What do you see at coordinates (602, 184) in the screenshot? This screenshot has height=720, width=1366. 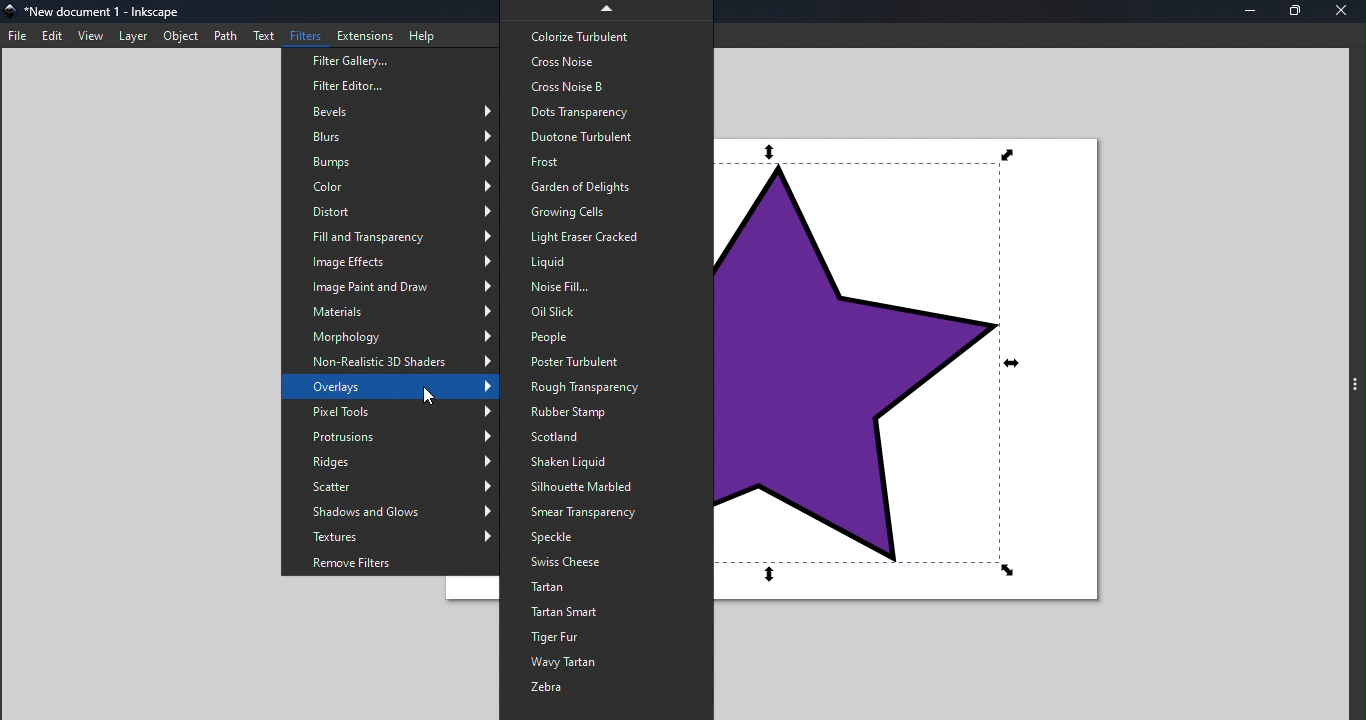 I see `Garden of delights` at bounding box center [602, 184].